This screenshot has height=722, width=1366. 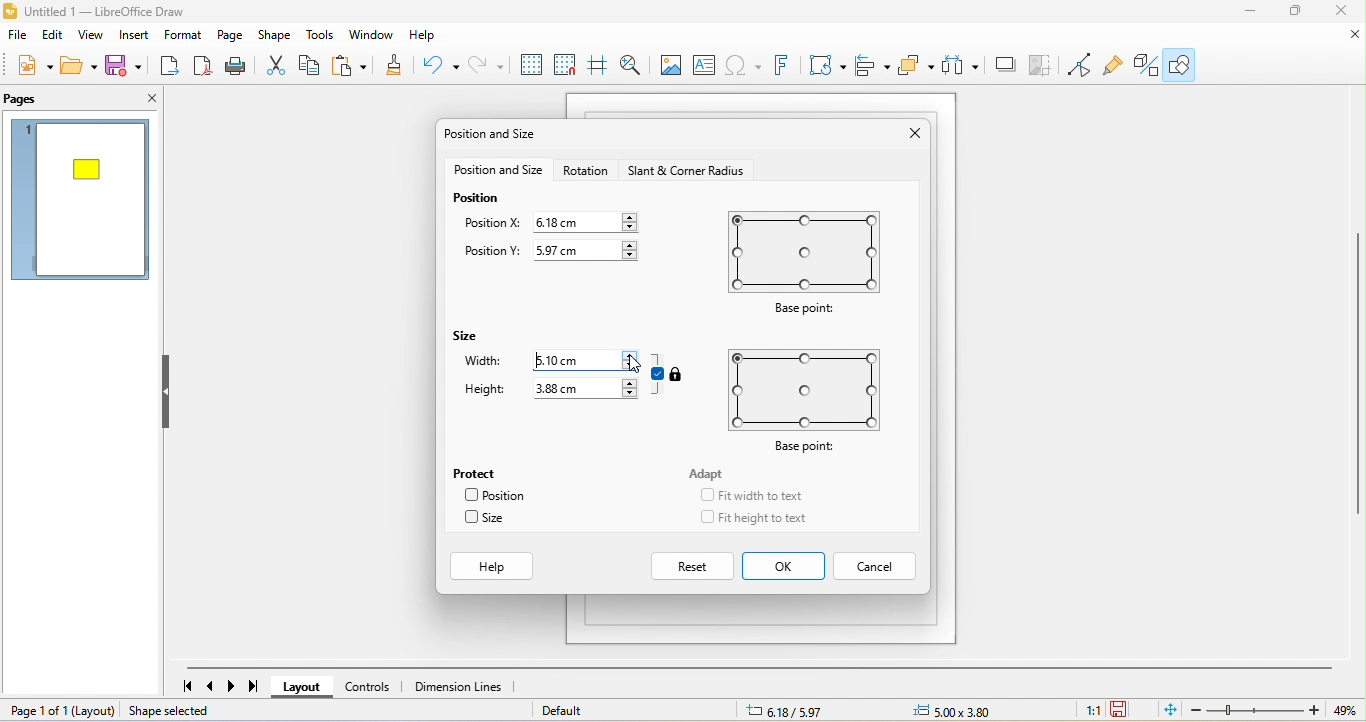 What do you see at coordinates (668, 66) in the screenshot?
I see `image` at bounding box center [668, 66].